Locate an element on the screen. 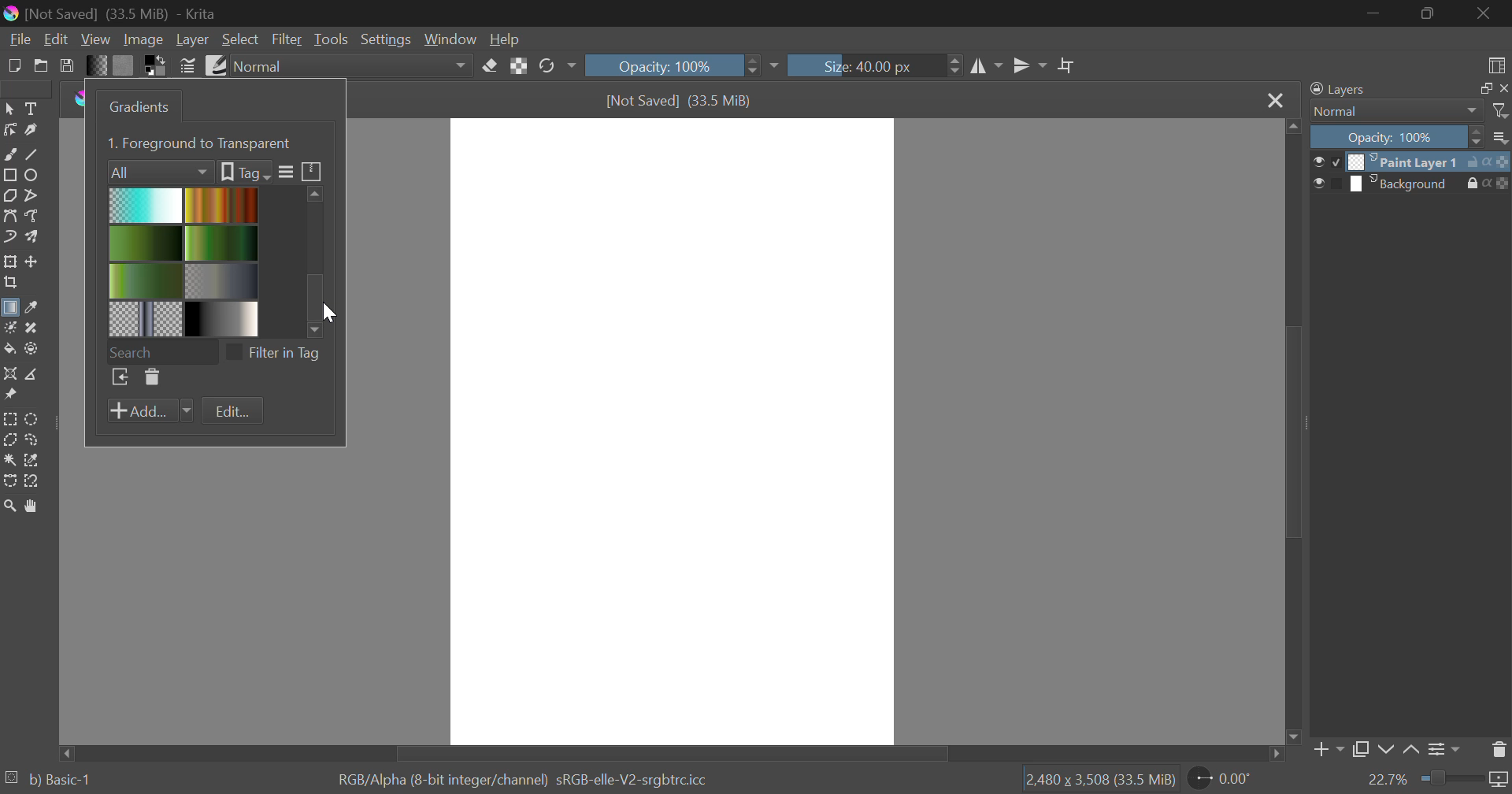  Open is located at coordinates (41, 65).